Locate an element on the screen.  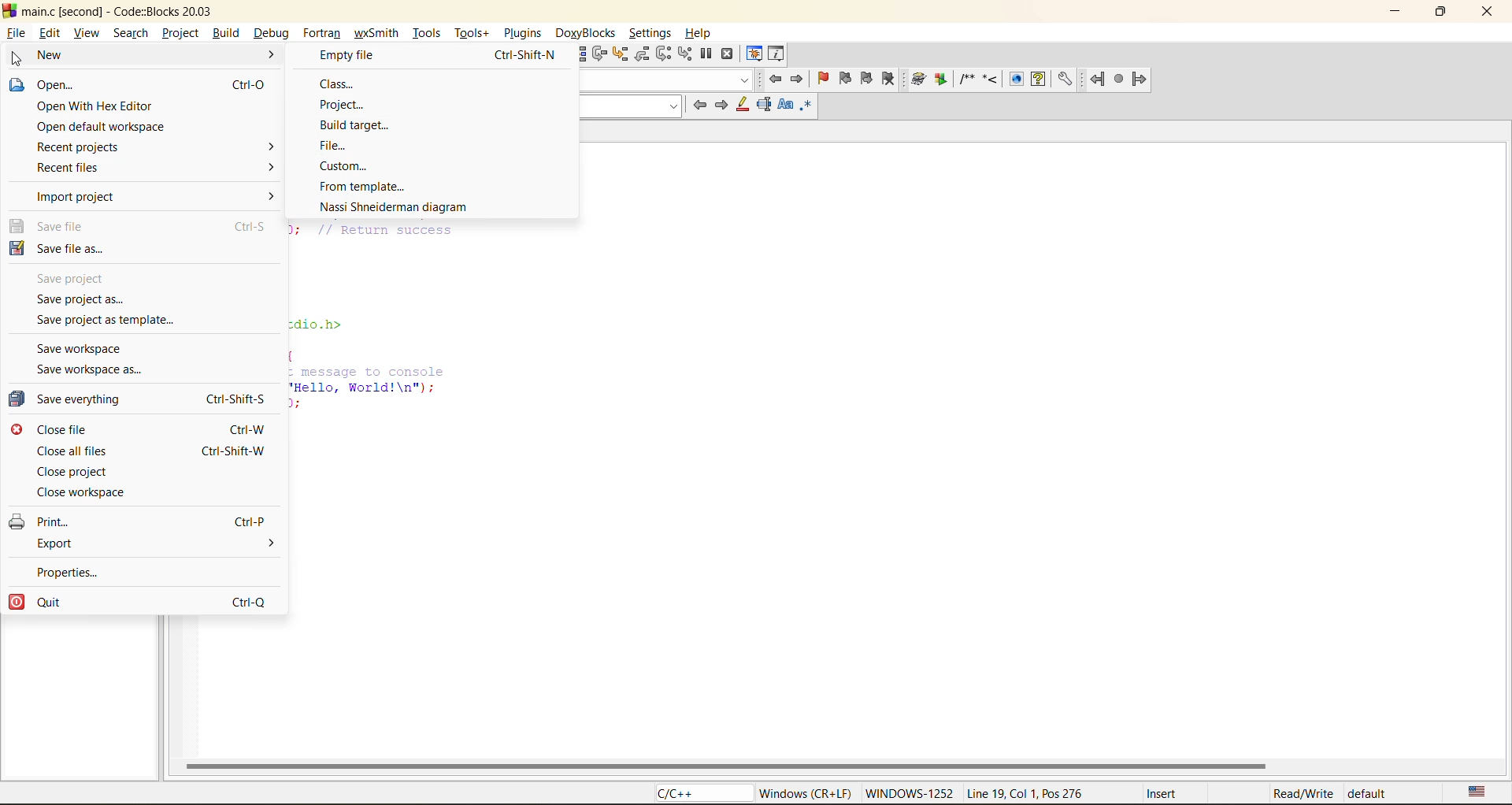
view is located at coordinates (86, 35).